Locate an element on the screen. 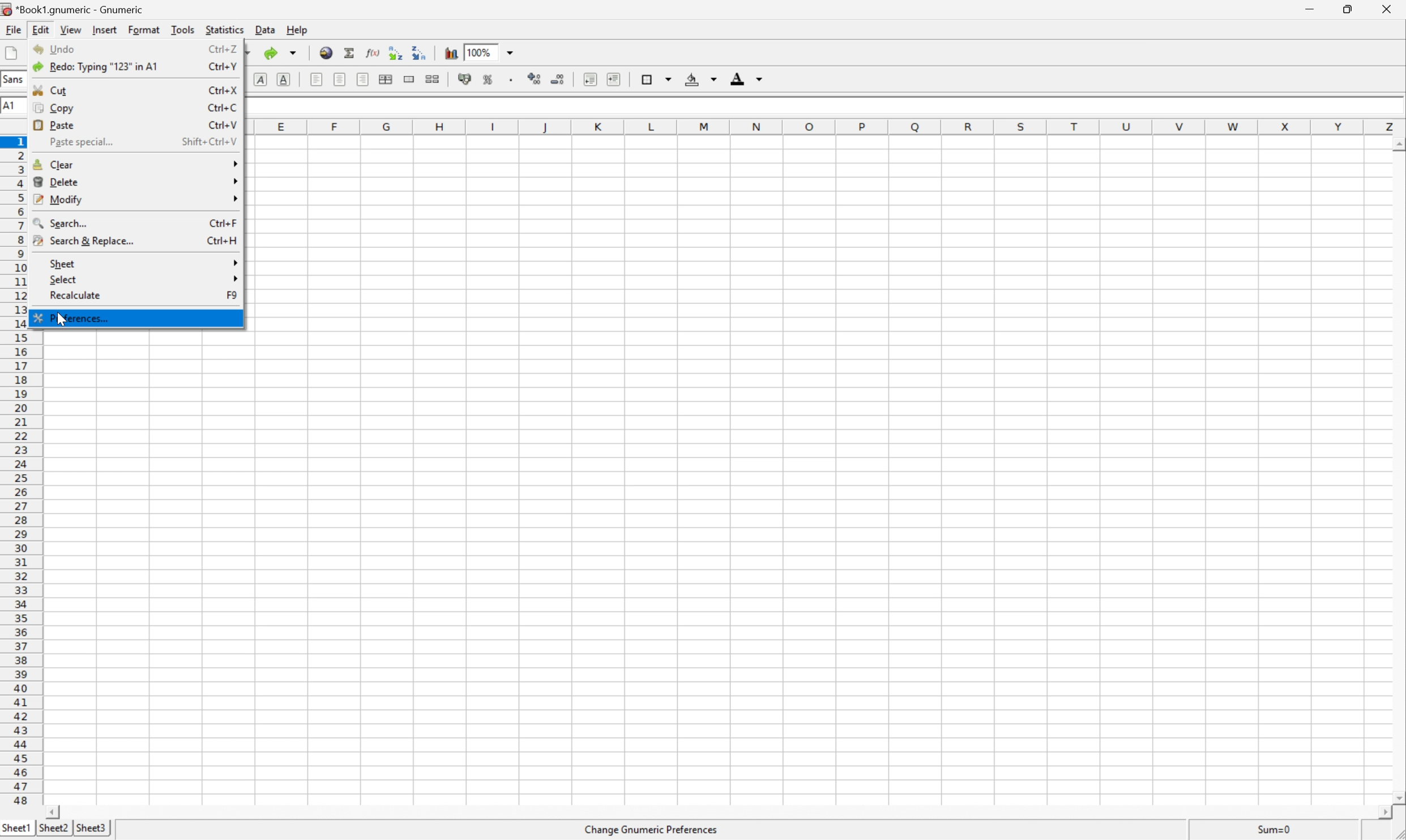 This screenshot has height=840, width=1406. sheet2 is located at coordinates (52, 832).